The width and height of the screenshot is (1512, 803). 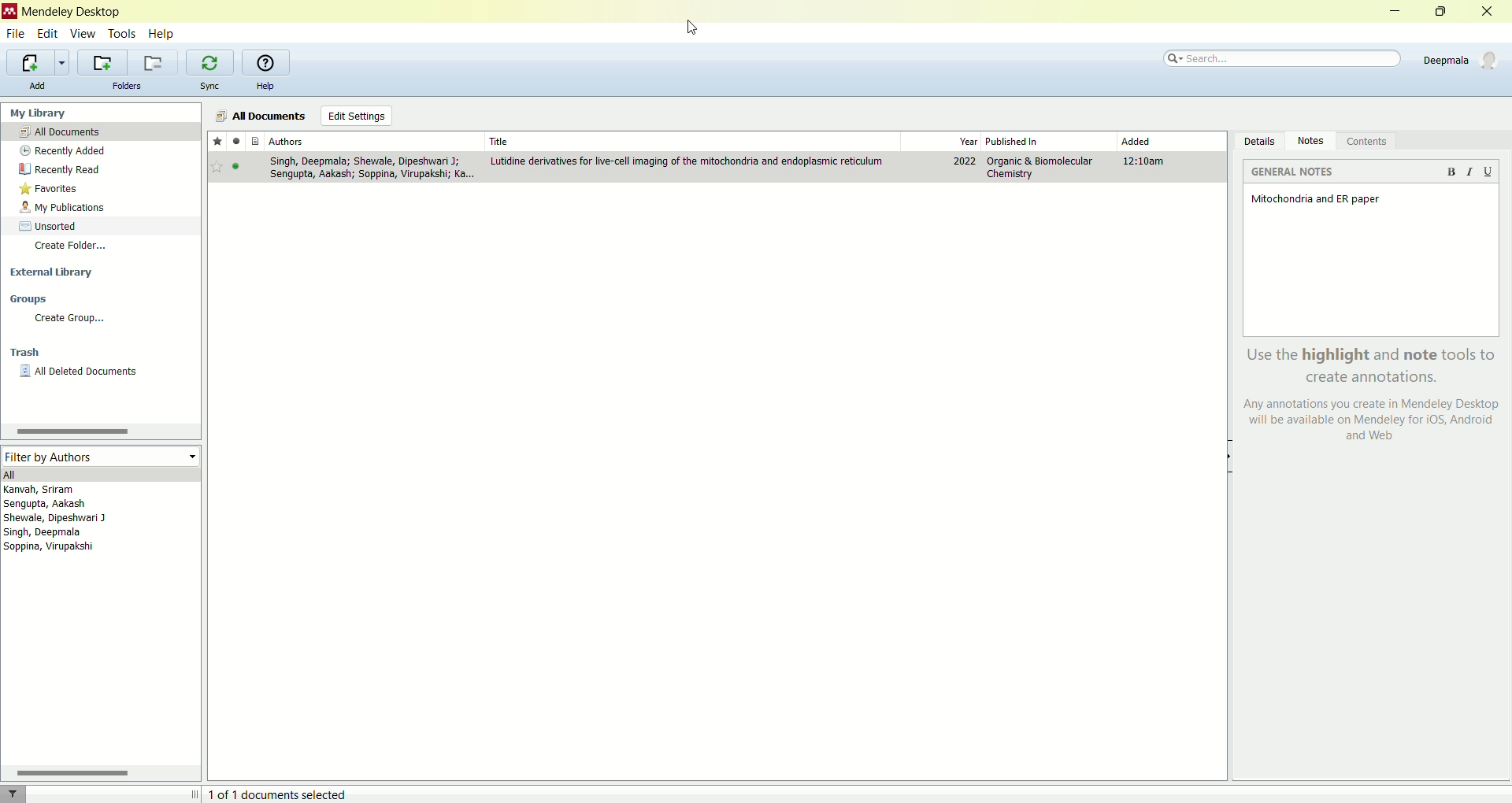 I want to click on folders, so click(x=126, y=86).